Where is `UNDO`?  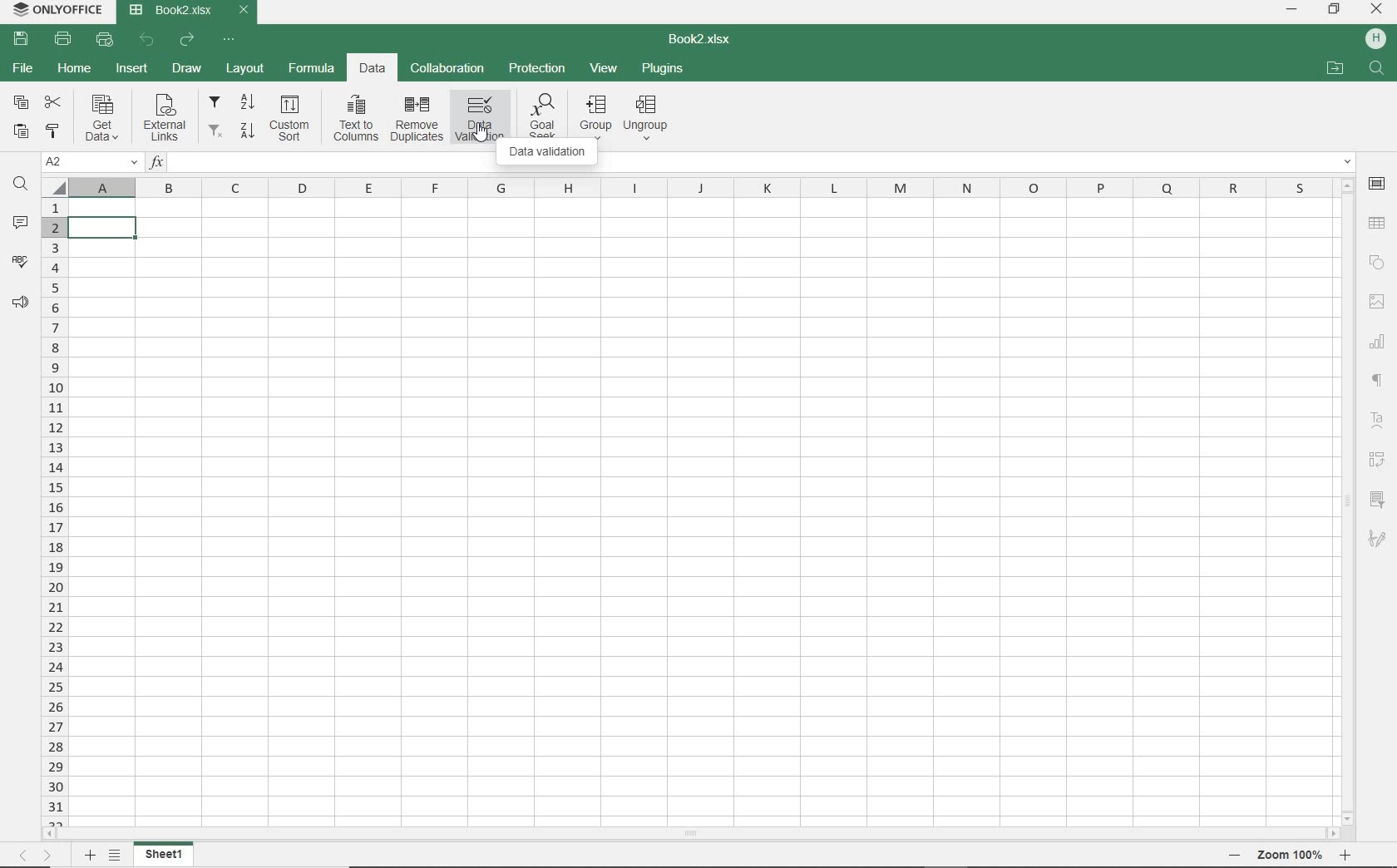
UNDO is located at coordinates (146, 40).